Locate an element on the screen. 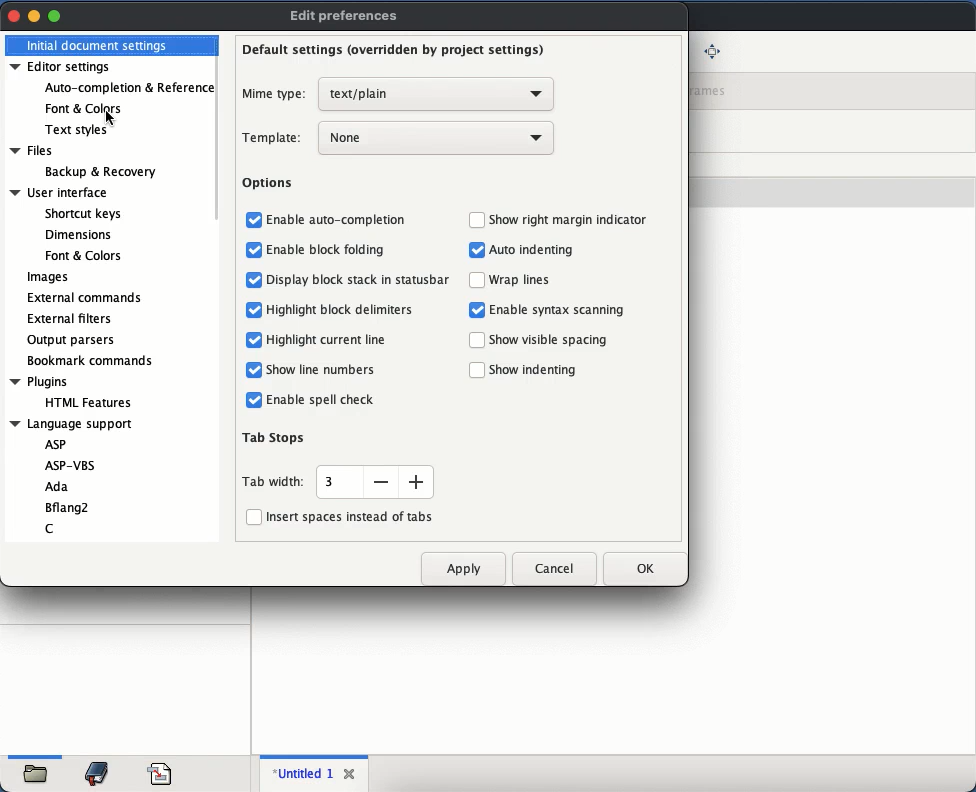 Image resolution: width=976 pixels, height=792 pixels. Ada is located at coordinates (60, 487).